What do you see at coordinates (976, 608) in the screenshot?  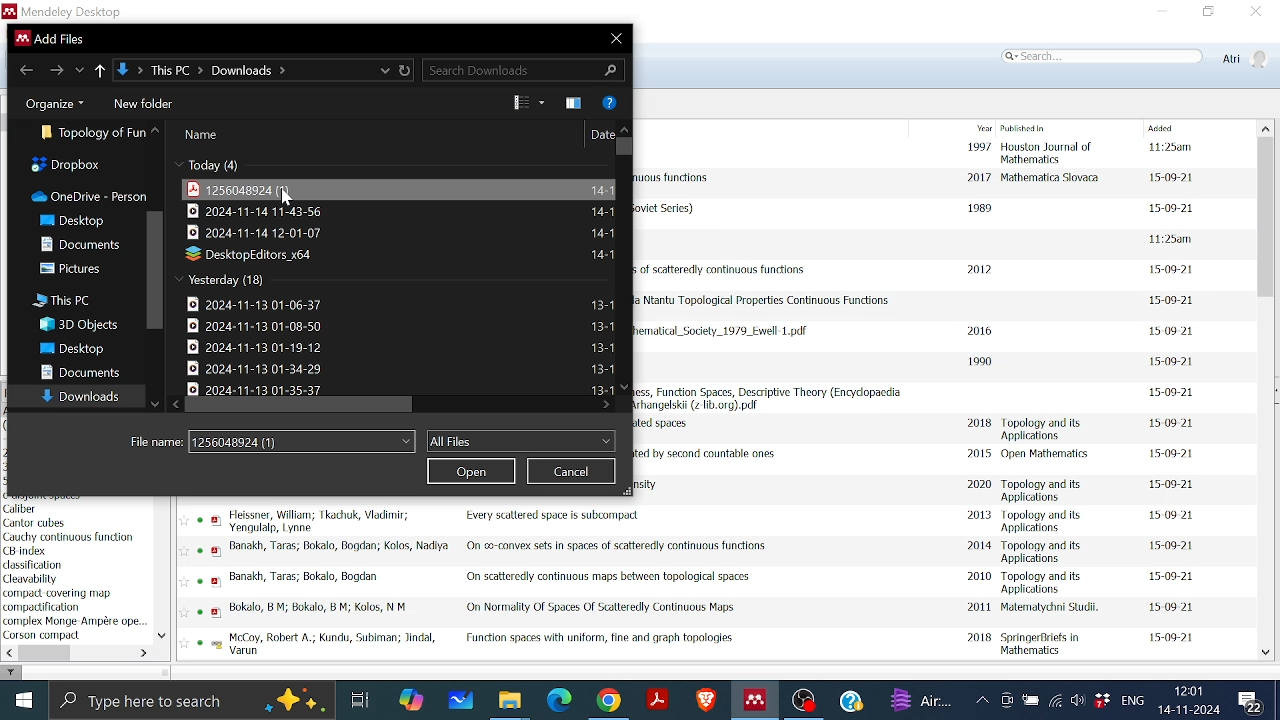 I see `2011` at bounding box center [976, 608].